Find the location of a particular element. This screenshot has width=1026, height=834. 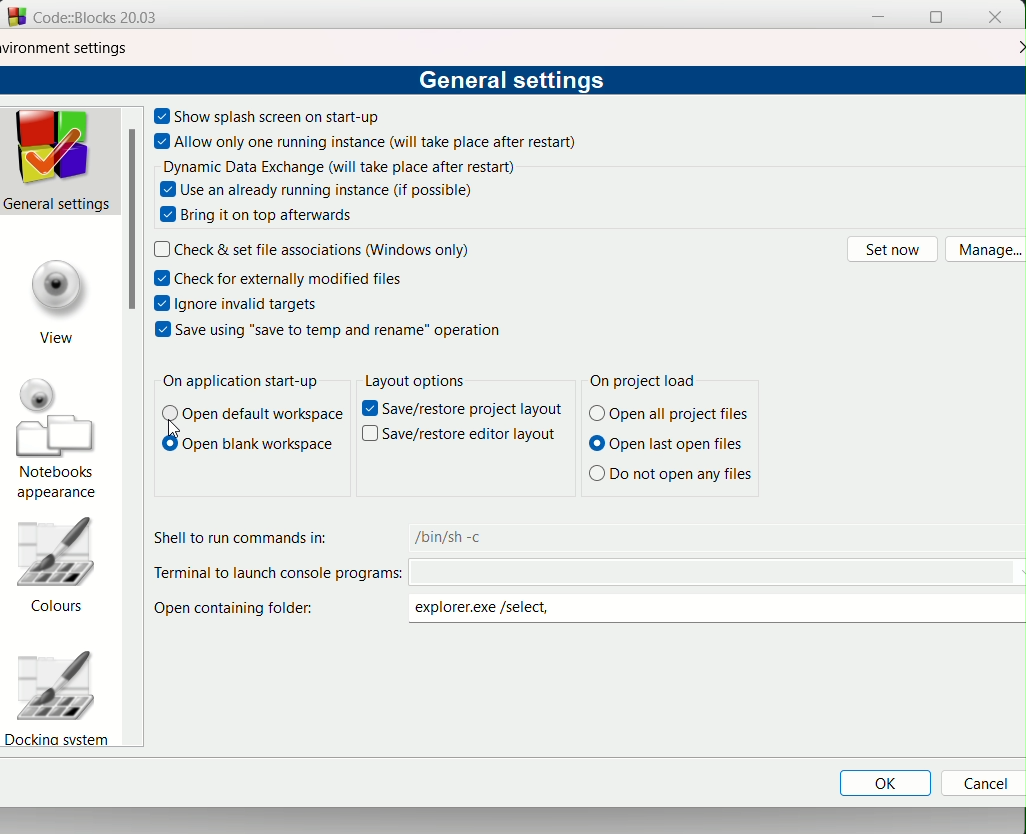

minimize is located at coordinates (880, 17).